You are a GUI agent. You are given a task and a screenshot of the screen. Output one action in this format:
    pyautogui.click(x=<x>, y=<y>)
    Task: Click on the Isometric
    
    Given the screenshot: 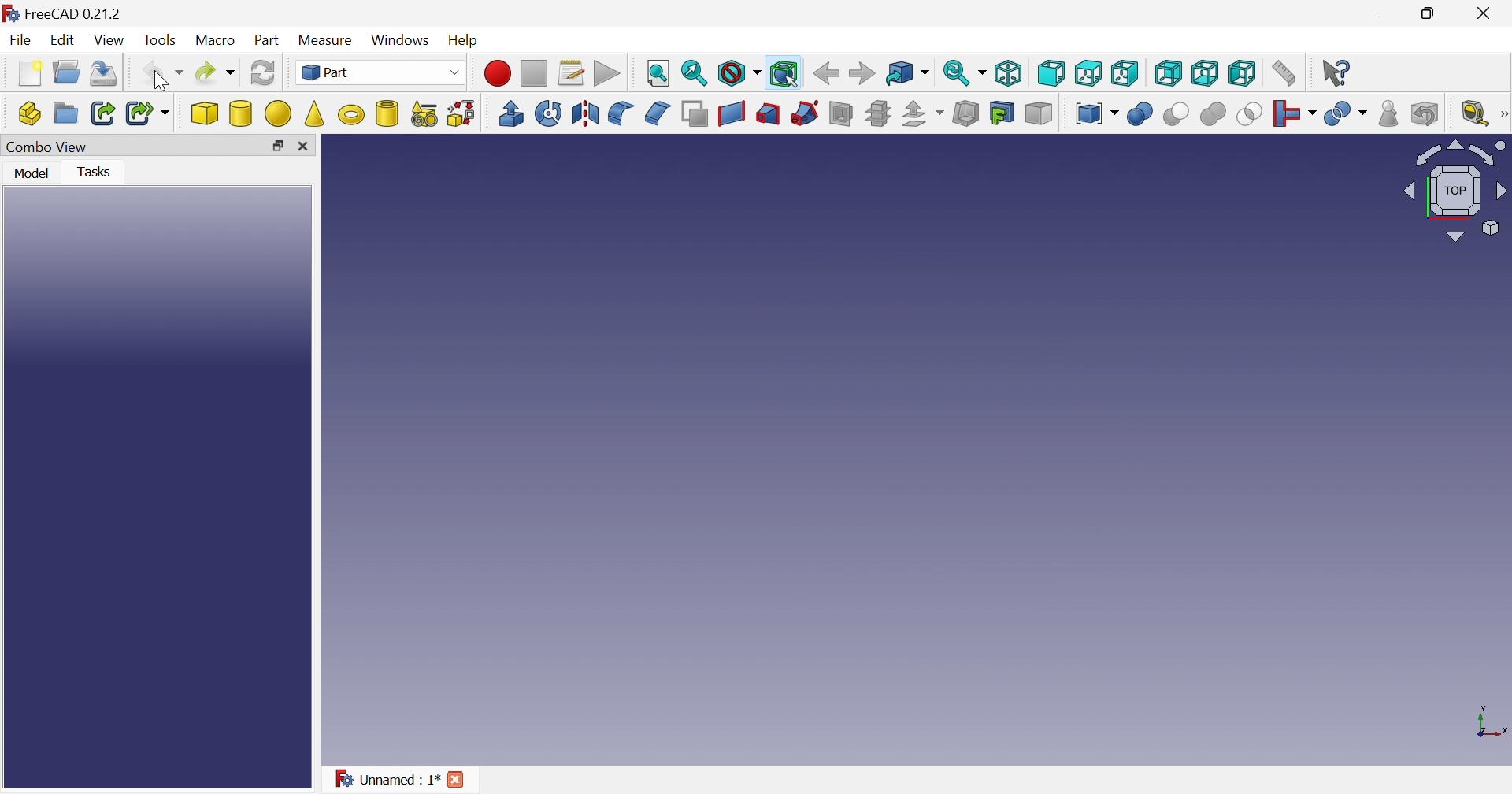 What is the action you would take?
    pyautogui.click(x=1006, y=73)
    